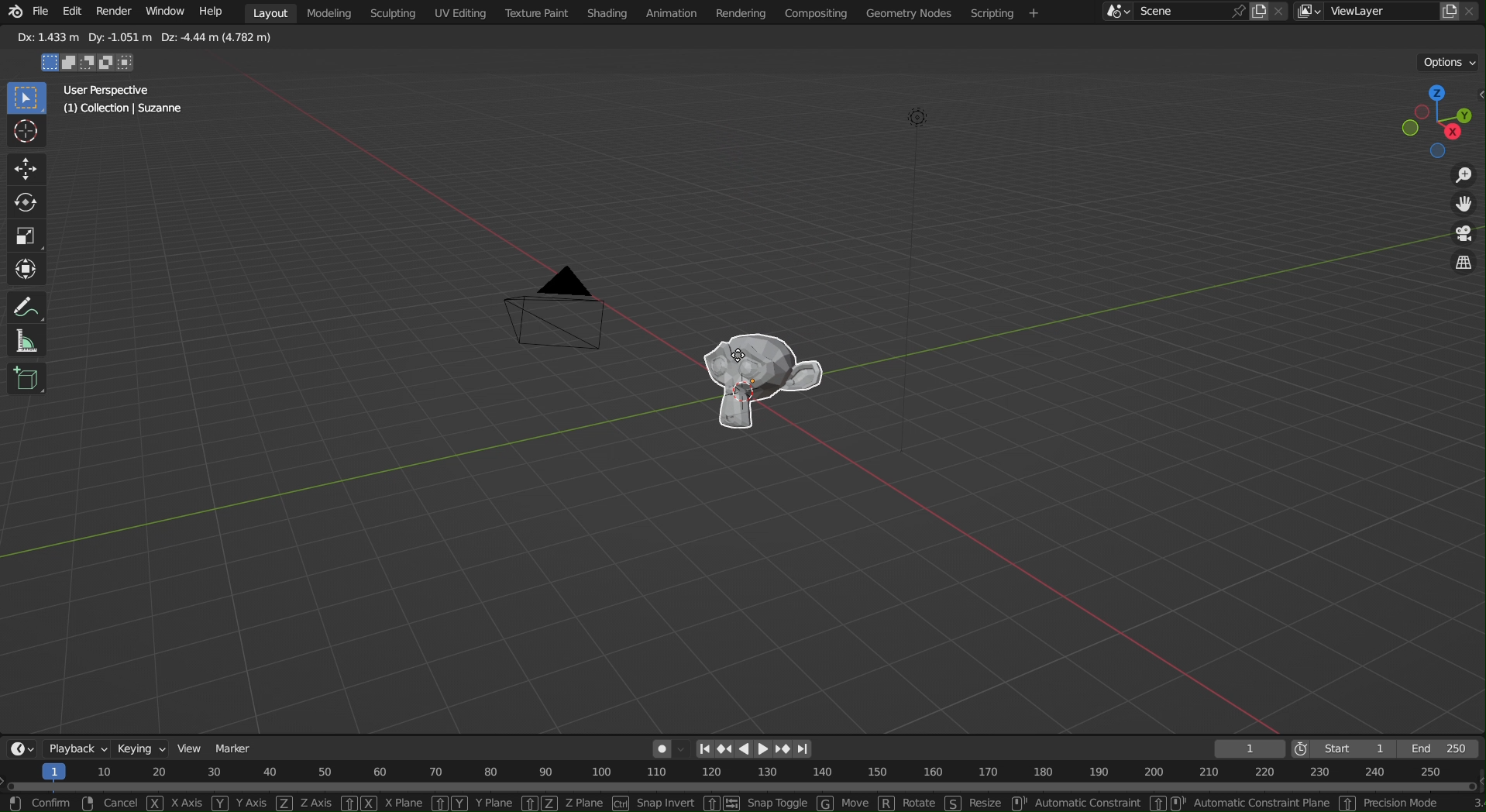 The width and height of the screenshot is (1486, 812). I want to click on intersect existing selection, so click(130, 63).